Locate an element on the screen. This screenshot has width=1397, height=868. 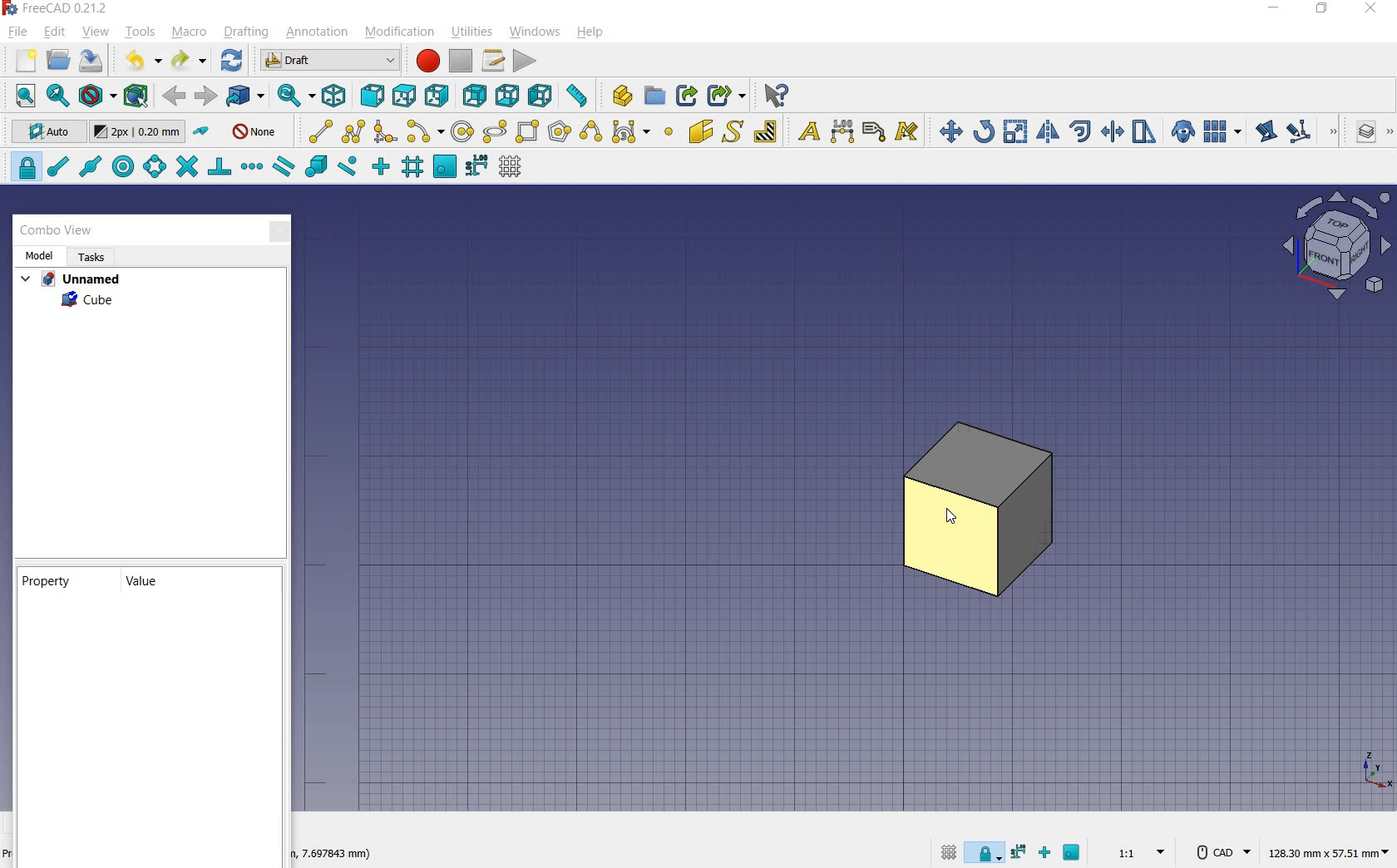
snap perpendicular is located at coordinates (220, 167).